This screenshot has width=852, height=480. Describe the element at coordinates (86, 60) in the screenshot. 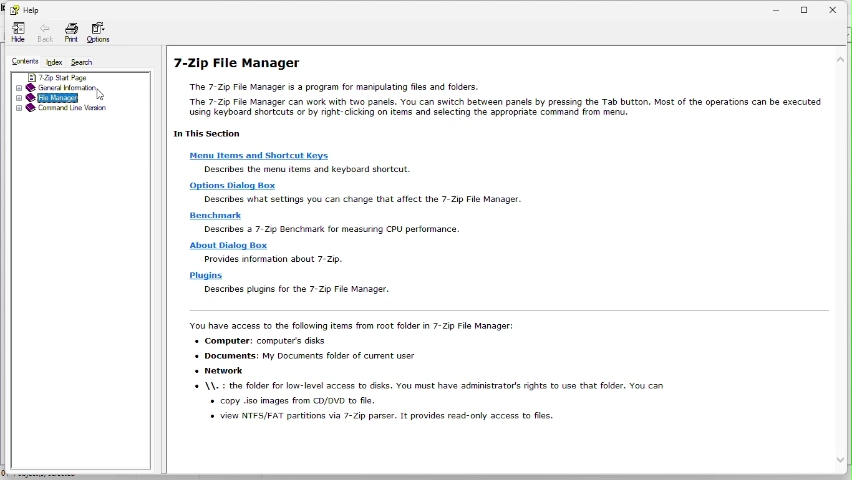

I see `Search ` at that location.